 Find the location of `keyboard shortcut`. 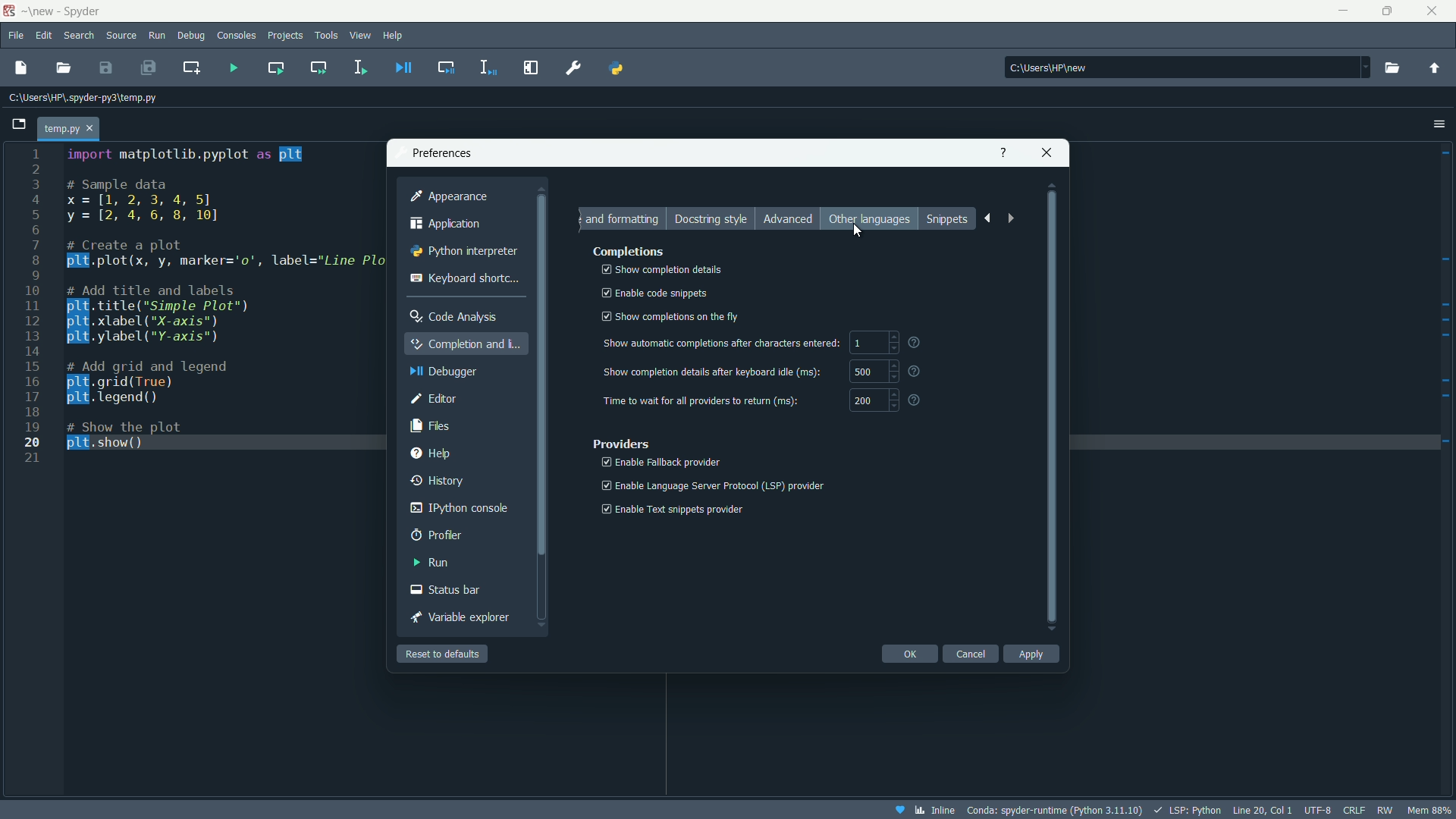

keyboard shortcut is located at coordinates (466, 278).